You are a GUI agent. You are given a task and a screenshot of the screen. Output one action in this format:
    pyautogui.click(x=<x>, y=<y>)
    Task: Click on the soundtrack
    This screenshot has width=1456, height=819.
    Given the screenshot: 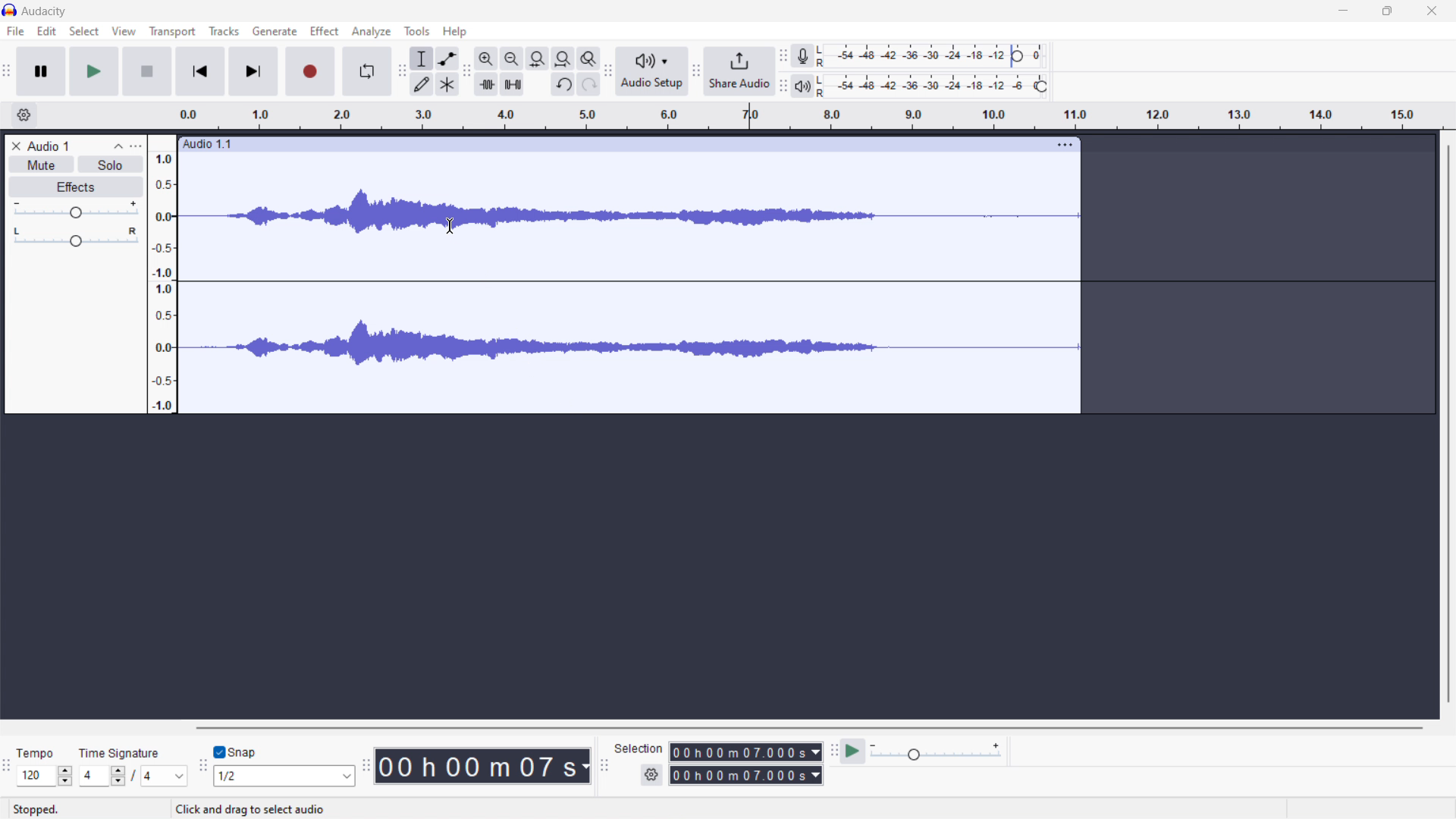 What is the action you would take?
    pyautogui.click(x=636, y=288)
    